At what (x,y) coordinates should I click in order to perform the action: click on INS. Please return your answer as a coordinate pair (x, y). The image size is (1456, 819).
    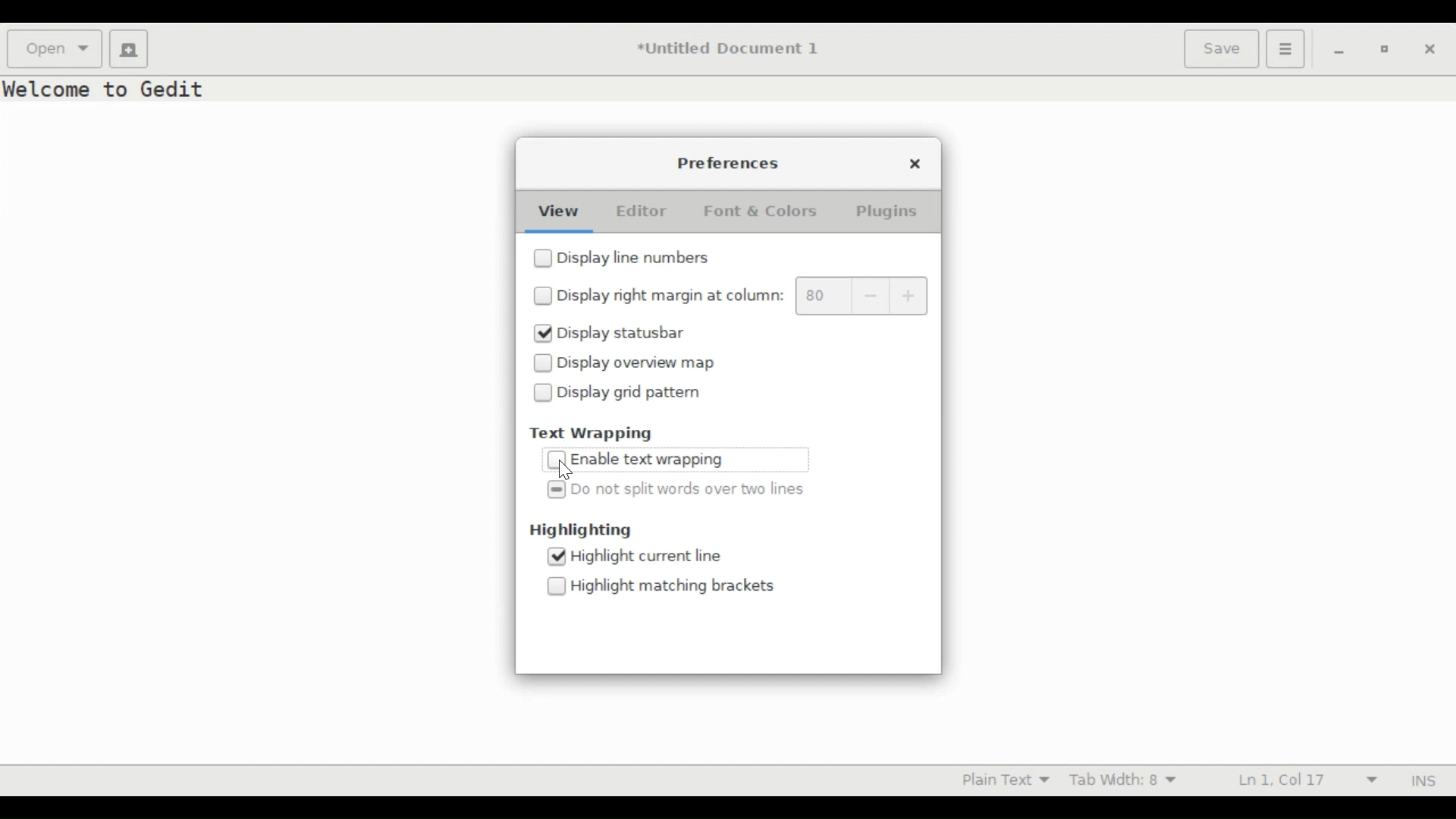
    Looking at the image, I should click on (1423, 780).